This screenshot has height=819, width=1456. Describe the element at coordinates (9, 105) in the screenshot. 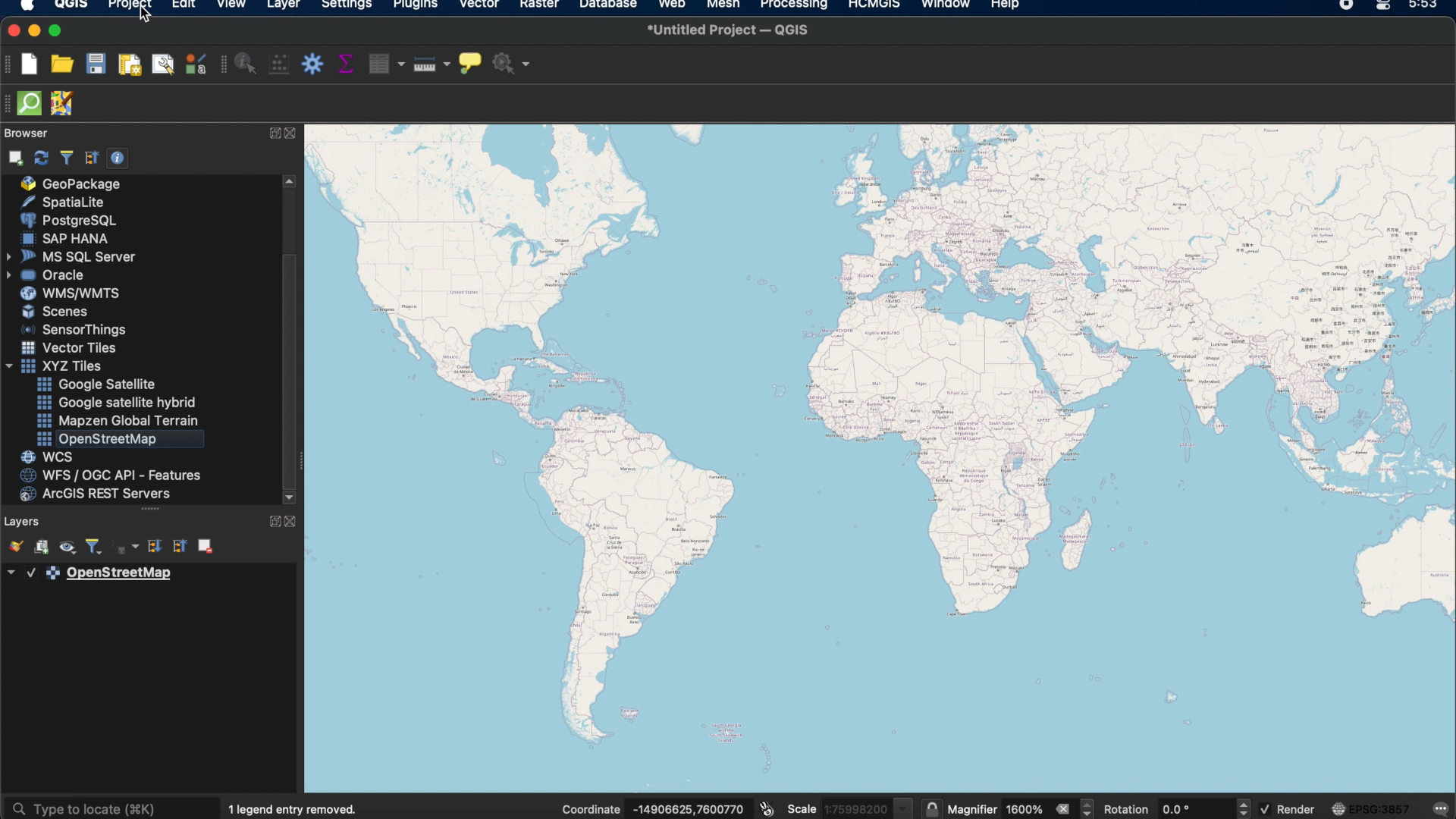

I see `hidden toolbar` at that location.